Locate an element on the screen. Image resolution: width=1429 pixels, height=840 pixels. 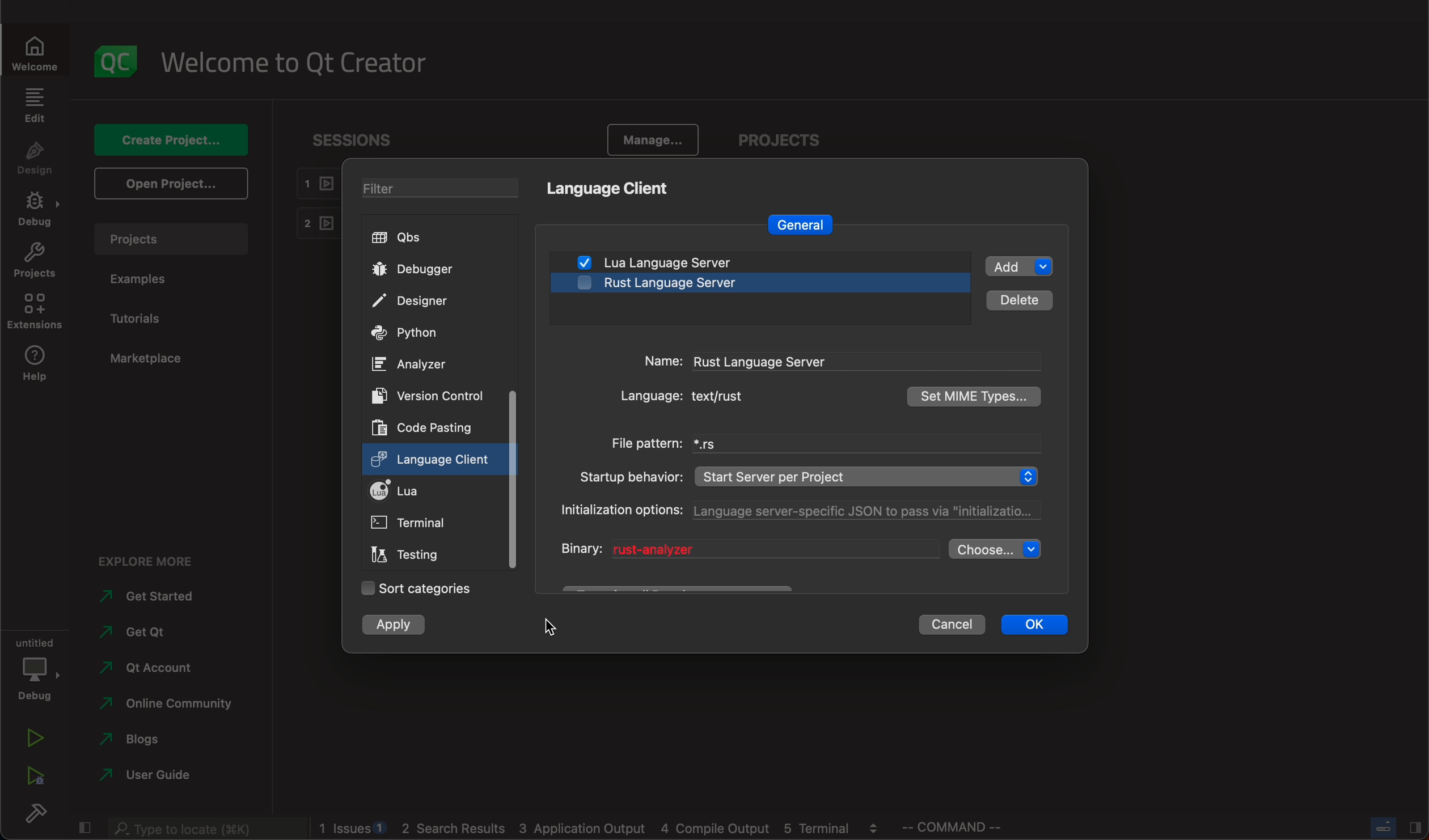
tutorials is located at coordinates (139, 317).